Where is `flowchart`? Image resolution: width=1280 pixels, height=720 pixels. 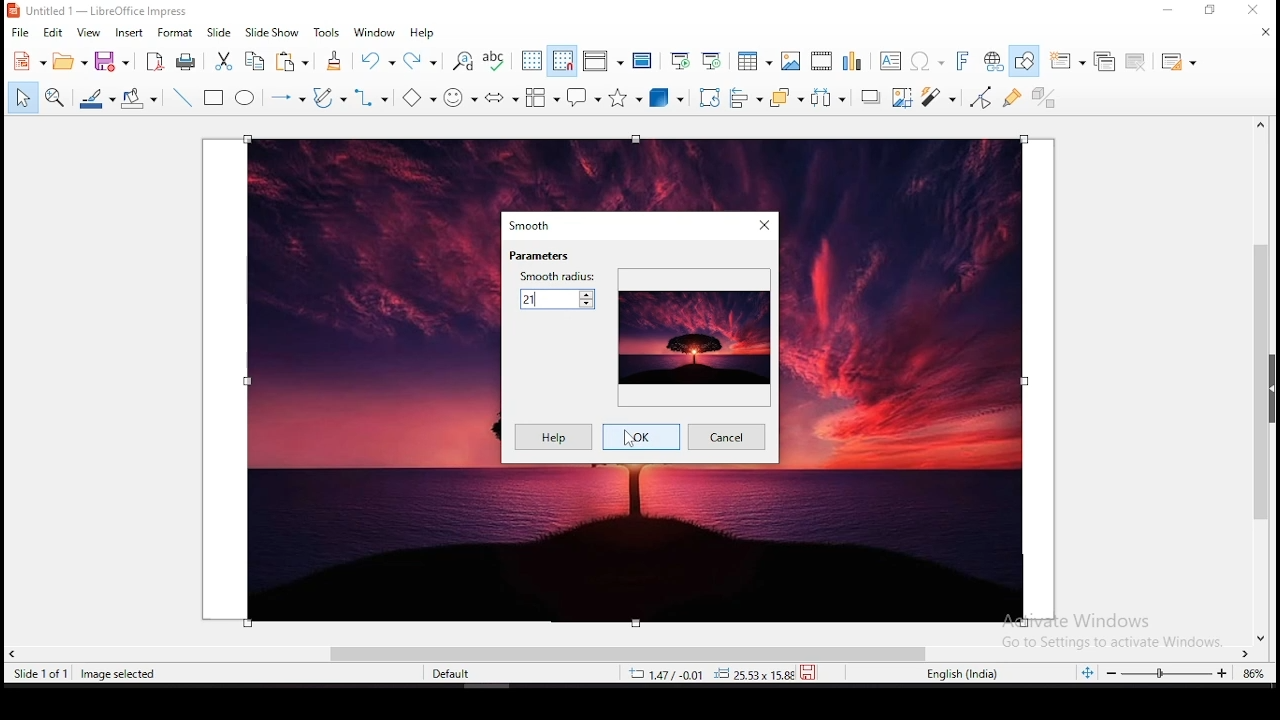 flowchart is located at coordinates (541, 97).